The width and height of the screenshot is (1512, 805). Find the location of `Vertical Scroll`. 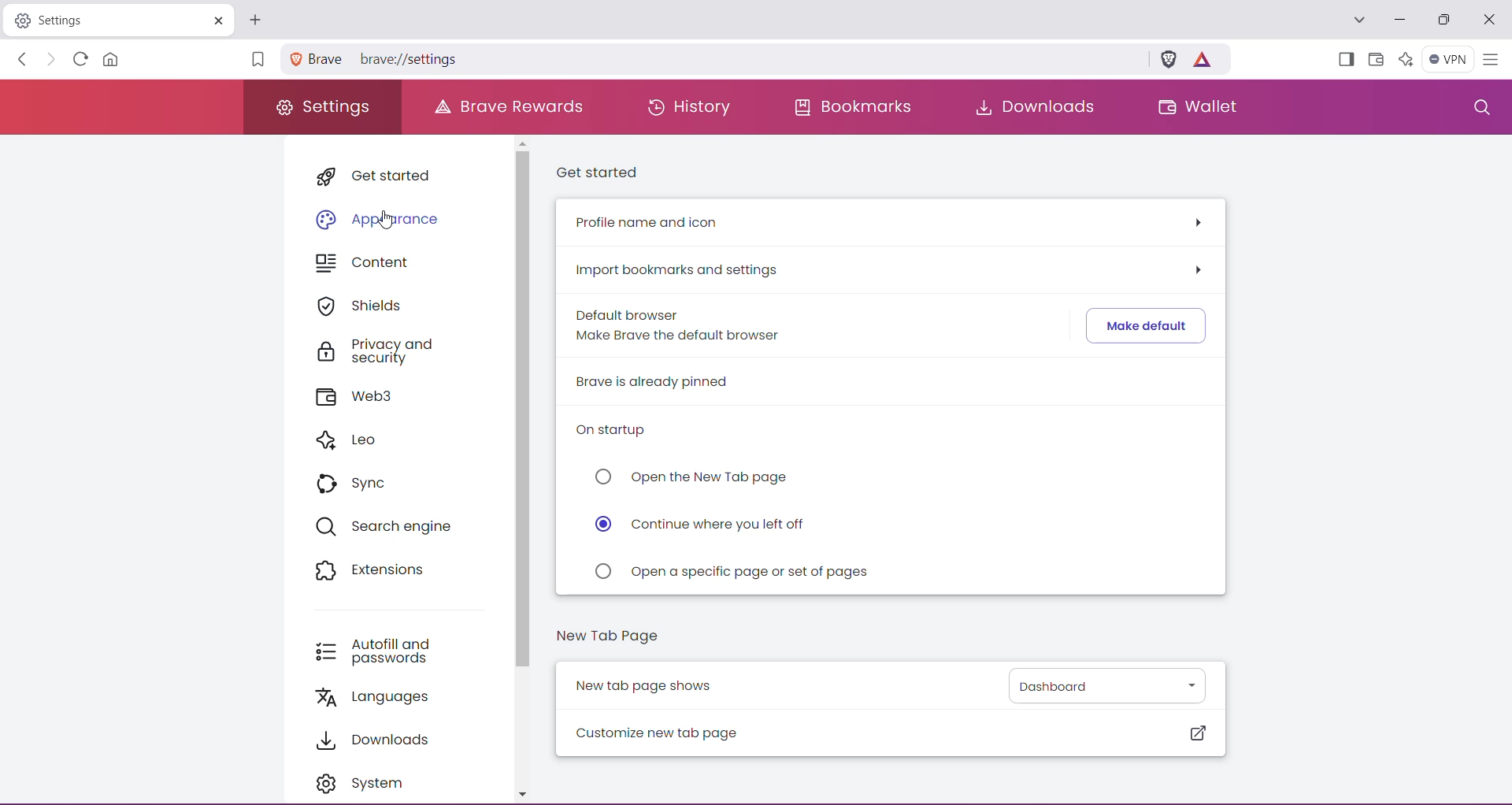

Vertical Scroll is located at coordinates (522, 472).